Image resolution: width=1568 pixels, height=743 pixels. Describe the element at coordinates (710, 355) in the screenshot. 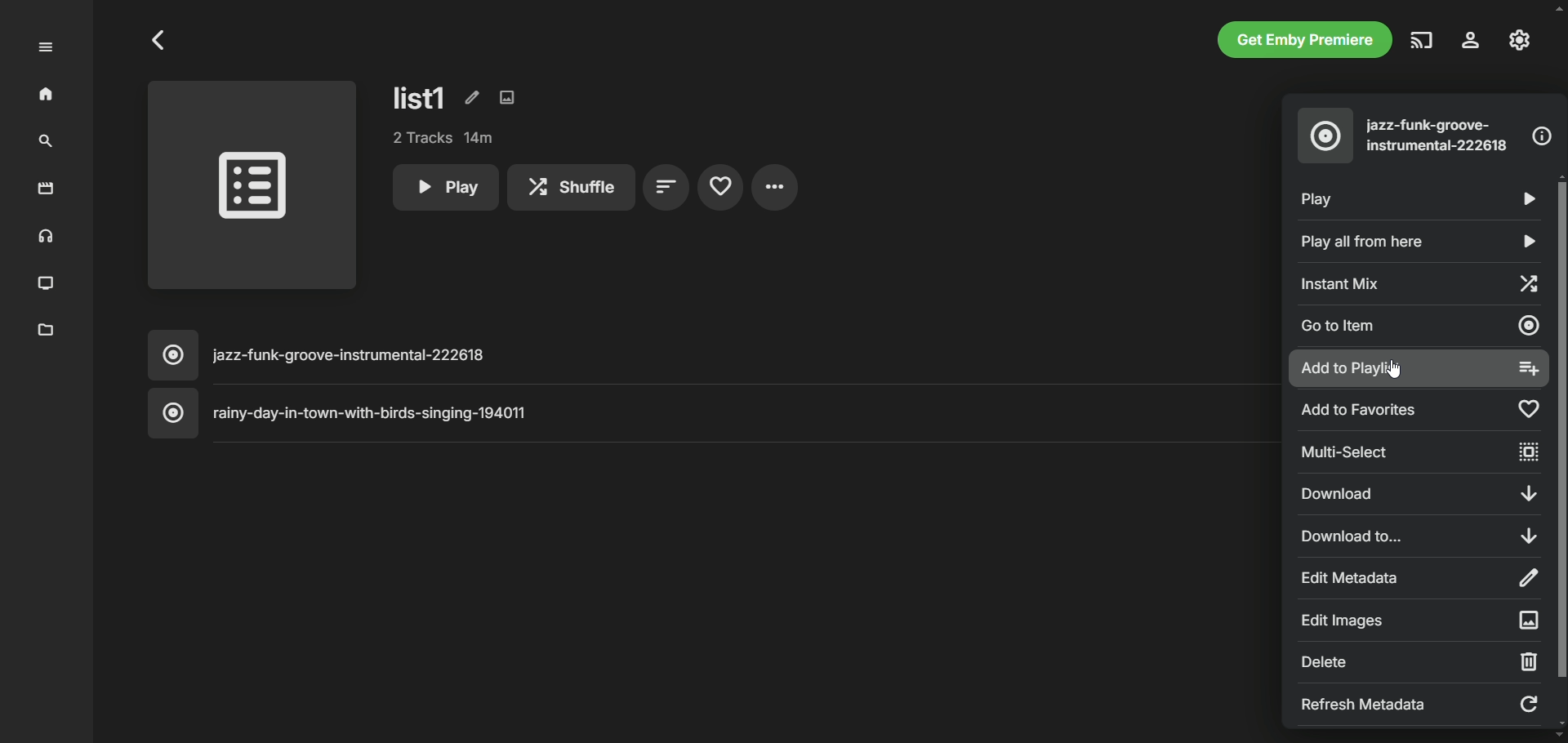

I see `music title` at that location.